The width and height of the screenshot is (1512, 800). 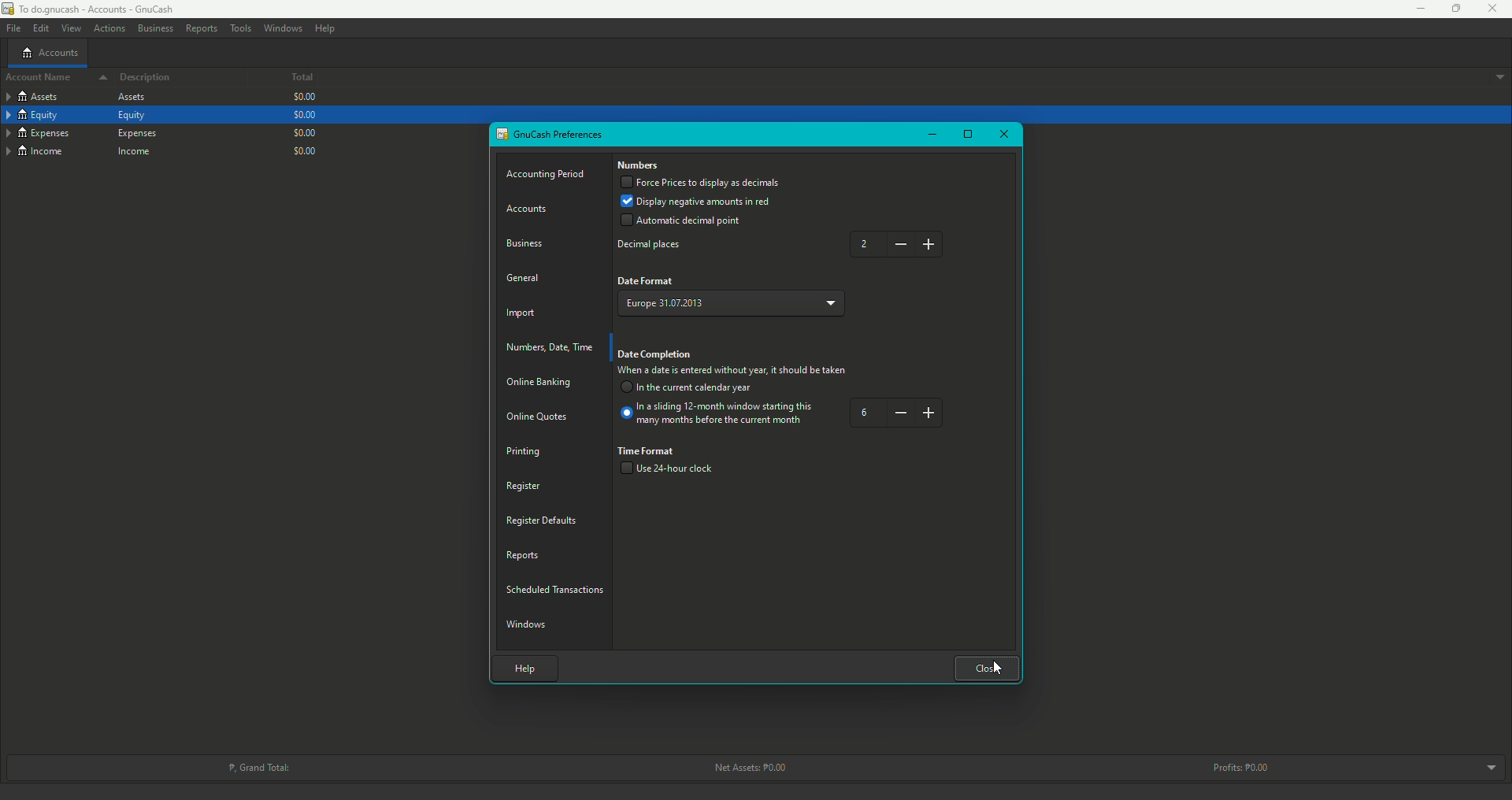 What do you see at coordinates (1244, 767) in the screenshot?
I see `Profits` at bounding box center [1244, 767].